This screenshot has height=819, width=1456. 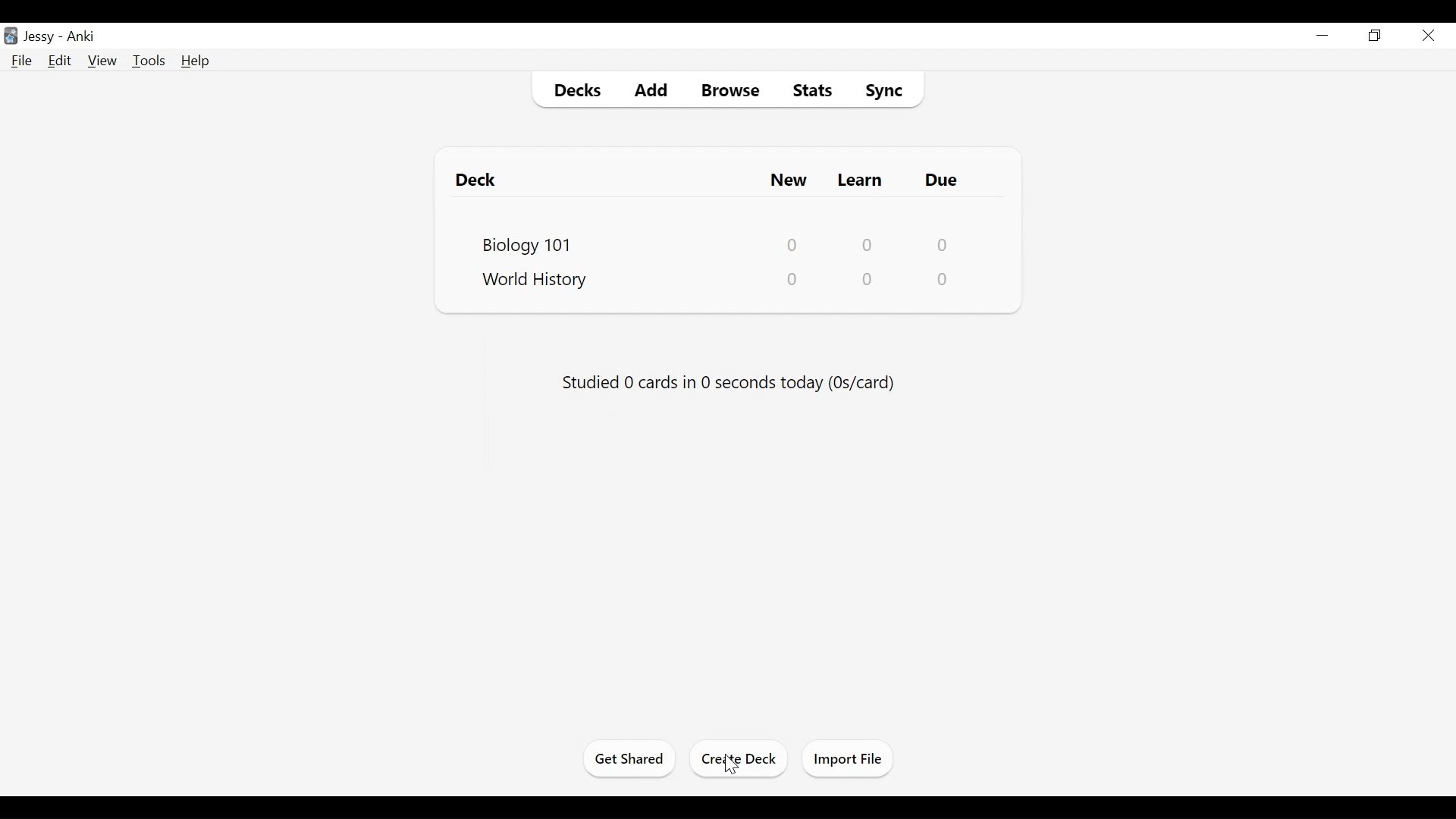 I want to click on File, so click(x=24, y=61).